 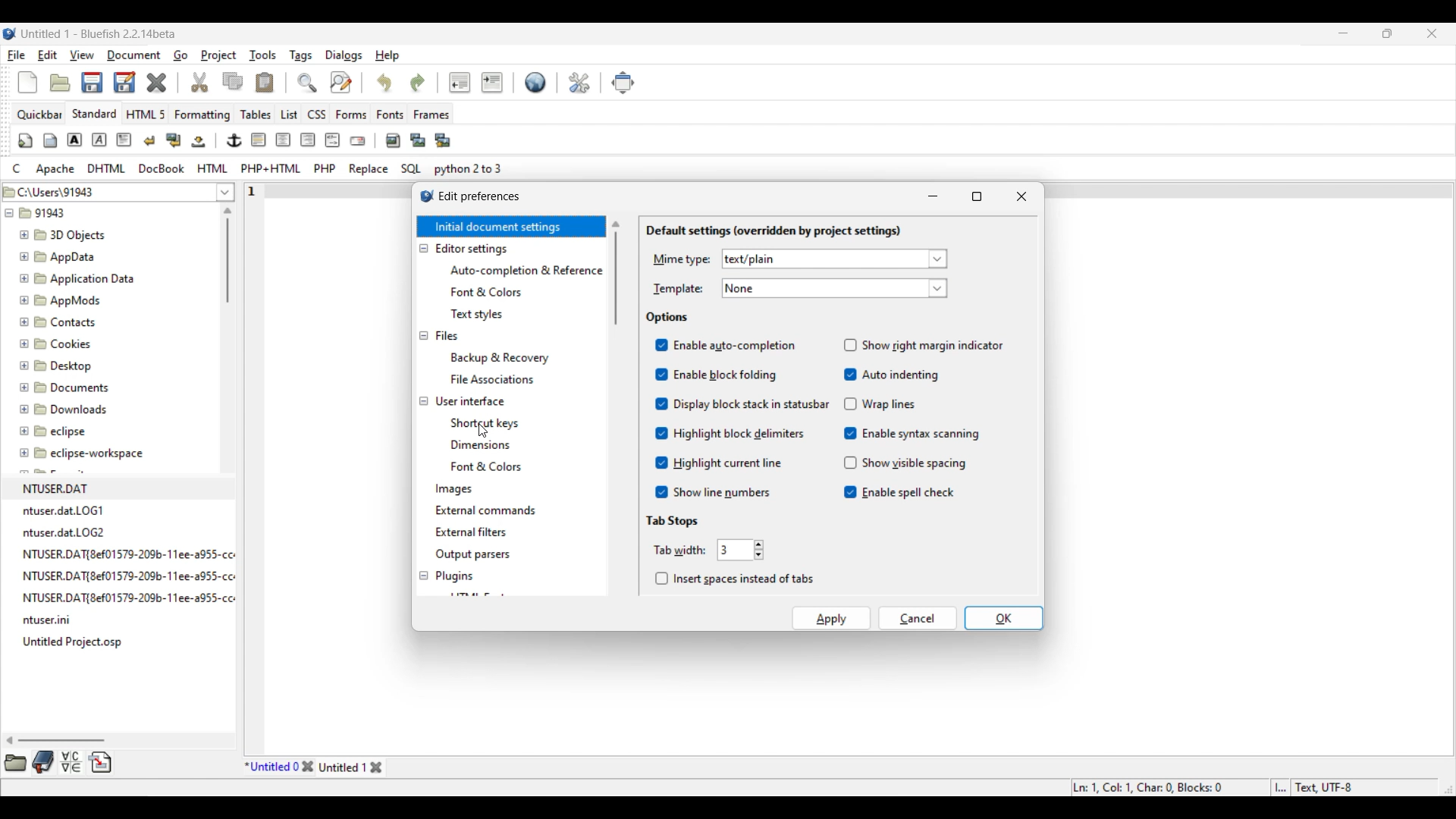 I want to click on Close, so click(x=307, y=767).